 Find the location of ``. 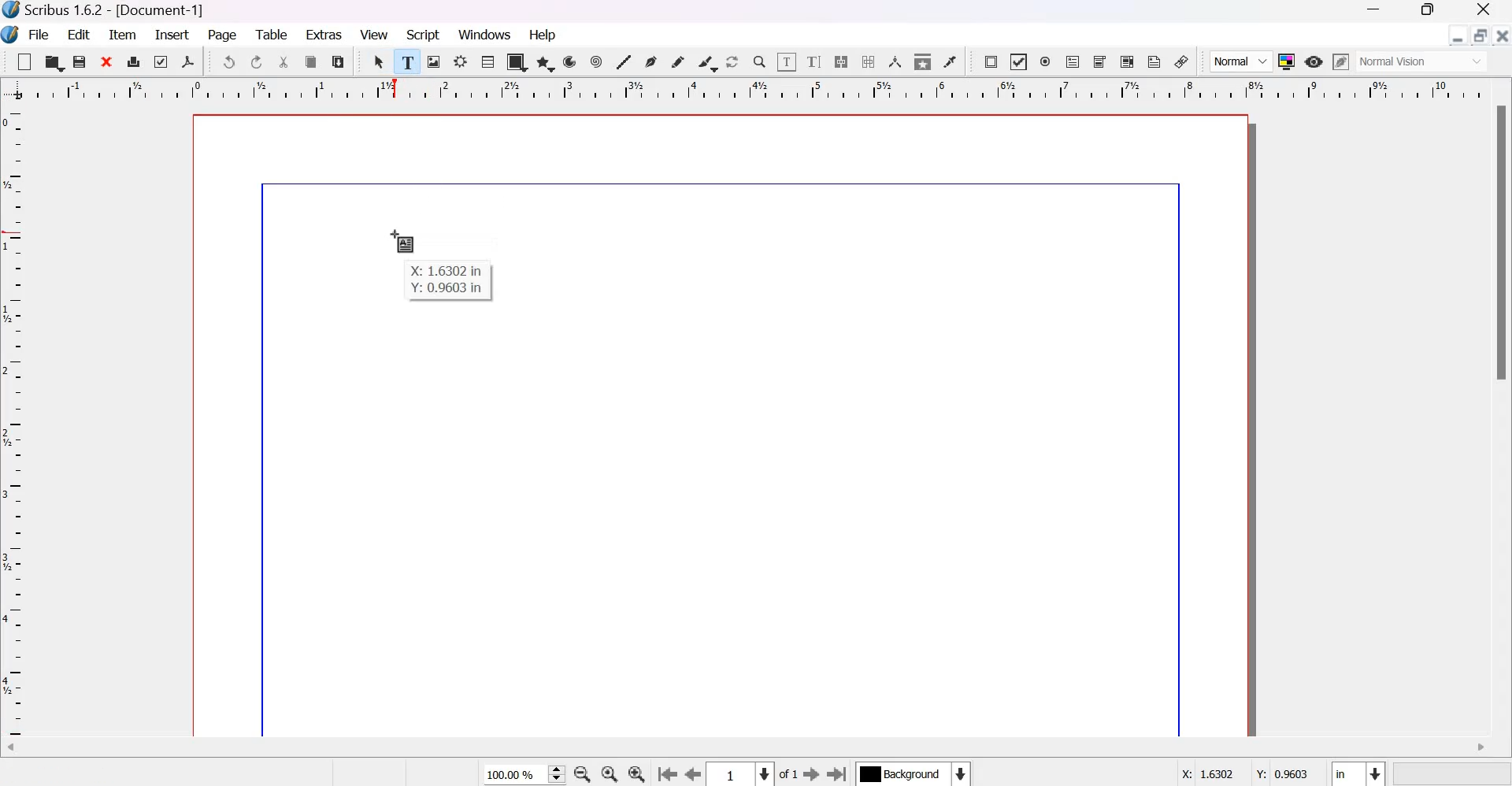

 is located at coordinates (639, 775).